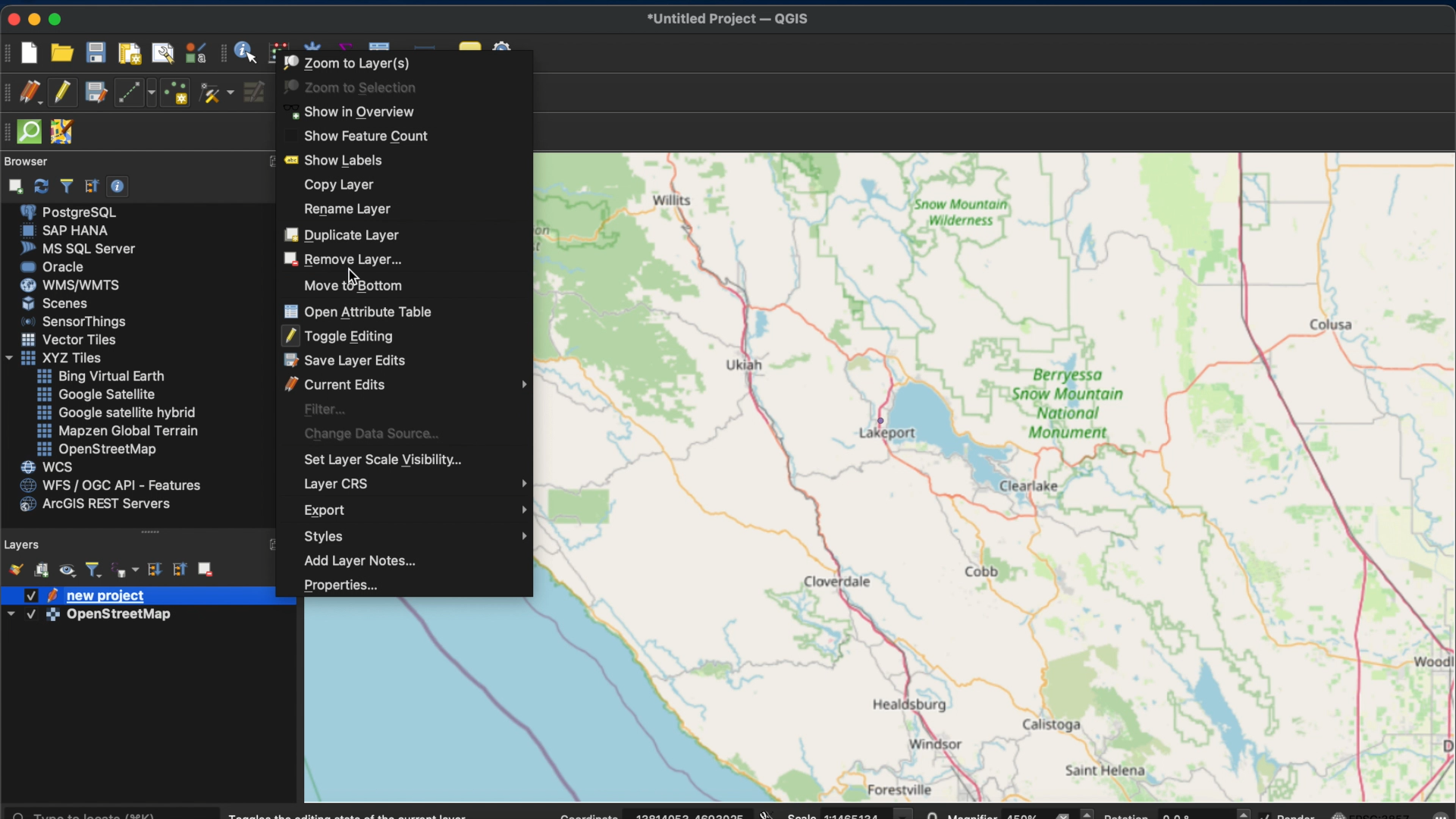 The width and height of the screenshot is (1456, 819). What do you see at coordinates (126, 570) in the screenshot?
I see `filter legen by expression` at bounding box center [126, 570].